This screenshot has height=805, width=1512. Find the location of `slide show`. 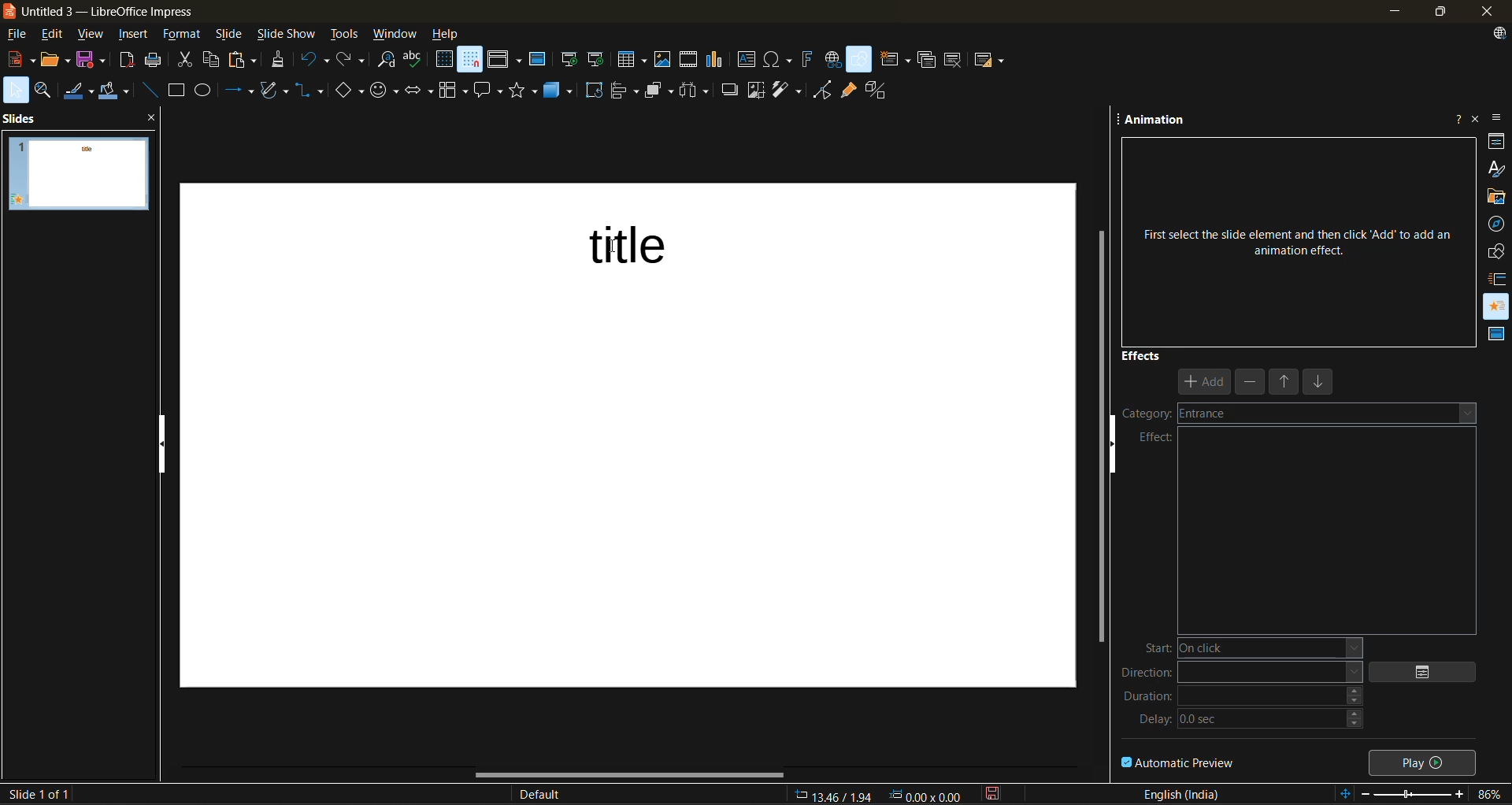

slide show is located at coordinates (287, 35).